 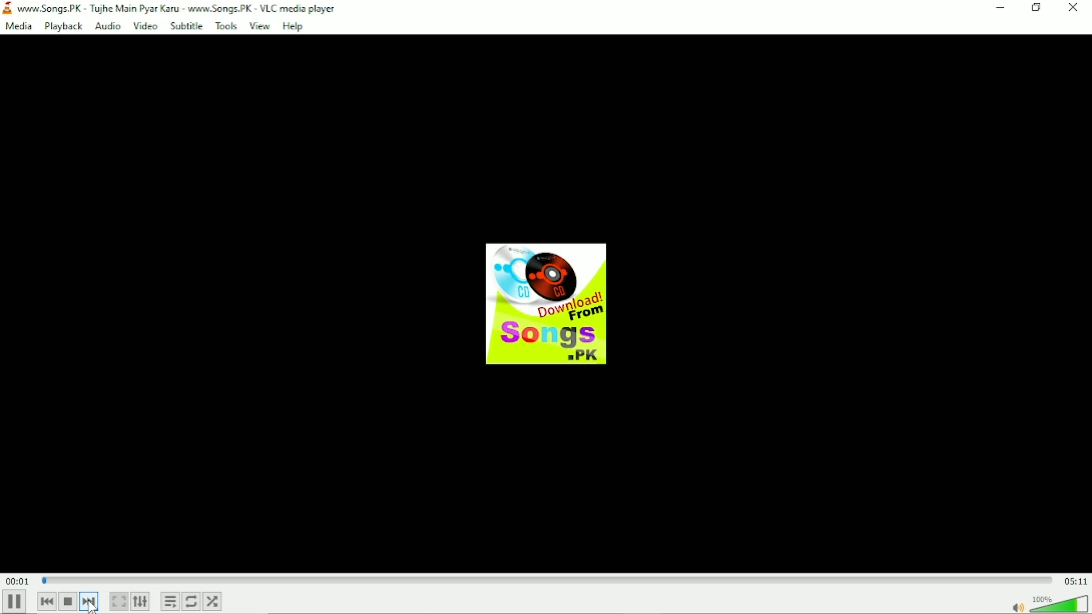 What do you see at coordinates (68, 601) in the screenshot?
I see `Stop playback` at bounding box center [68, 601].